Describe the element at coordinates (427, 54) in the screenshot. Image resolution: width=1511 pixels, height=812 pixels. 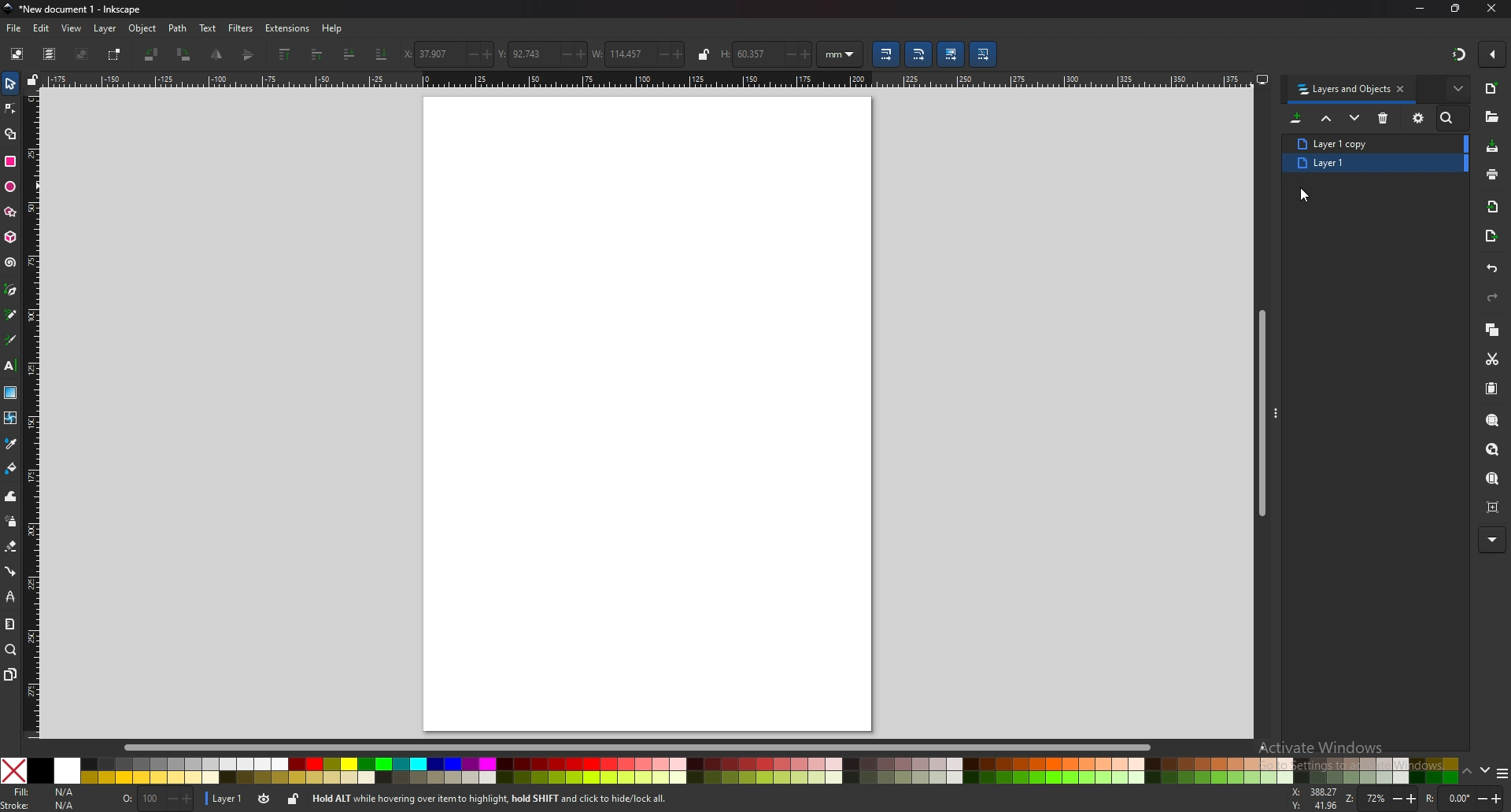
I see `x coordinates` at that location.